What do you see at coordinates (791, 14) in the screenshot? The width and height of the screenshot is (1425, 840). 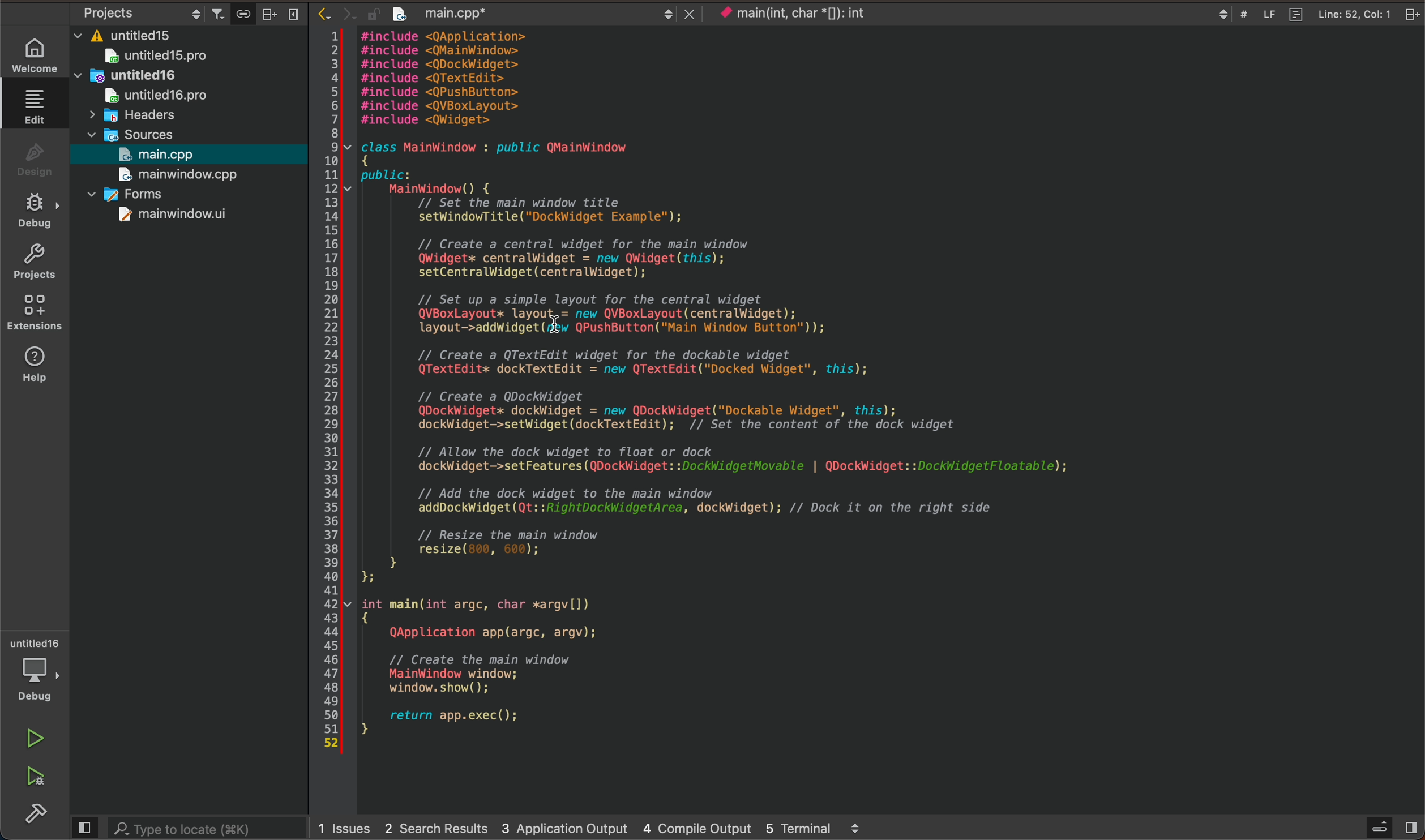 I see `current context` at bounding box center [791, 14].